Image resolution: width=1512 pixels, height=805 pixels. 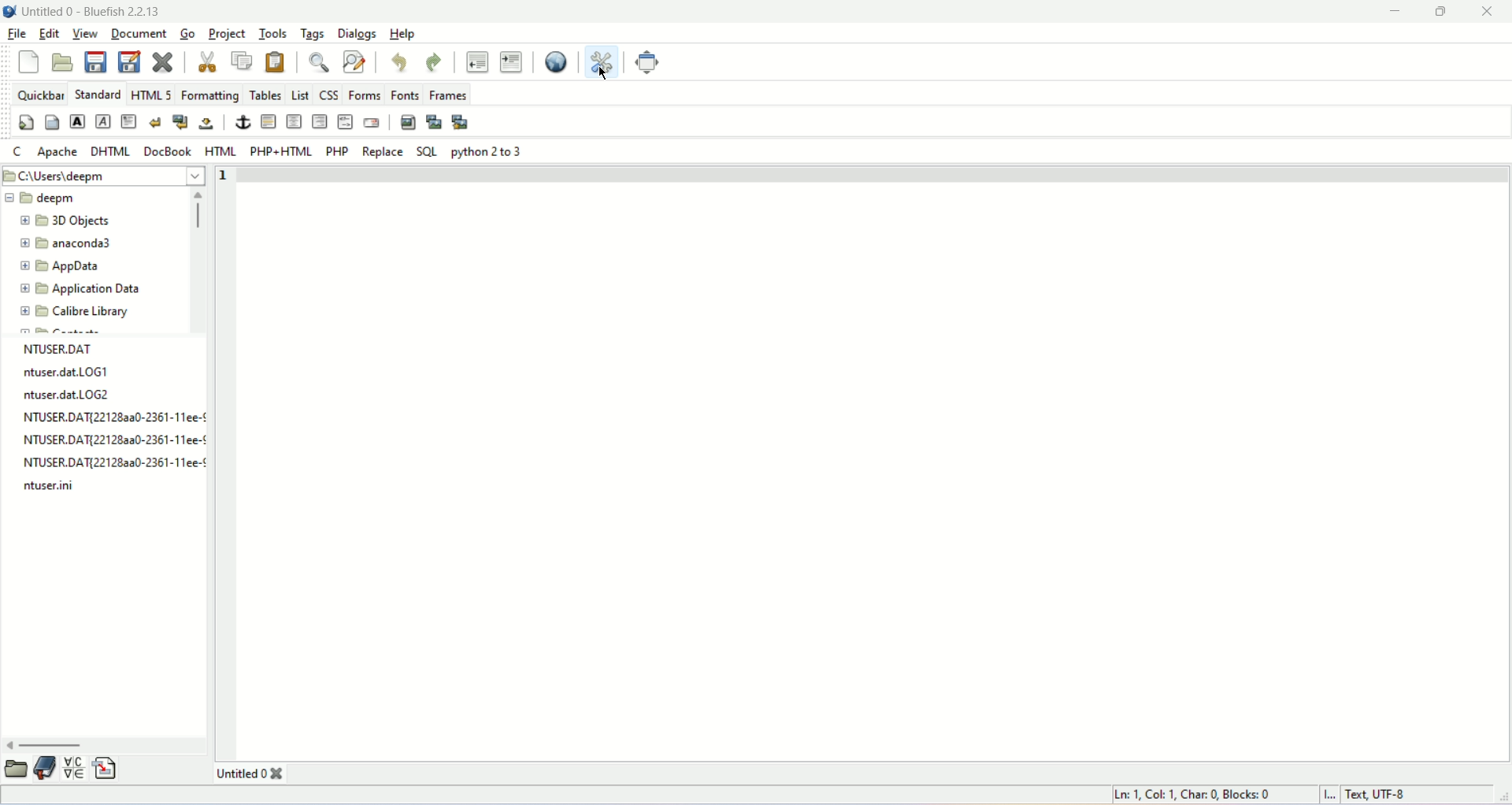 I want to click on title, so click(x=91, y=9).